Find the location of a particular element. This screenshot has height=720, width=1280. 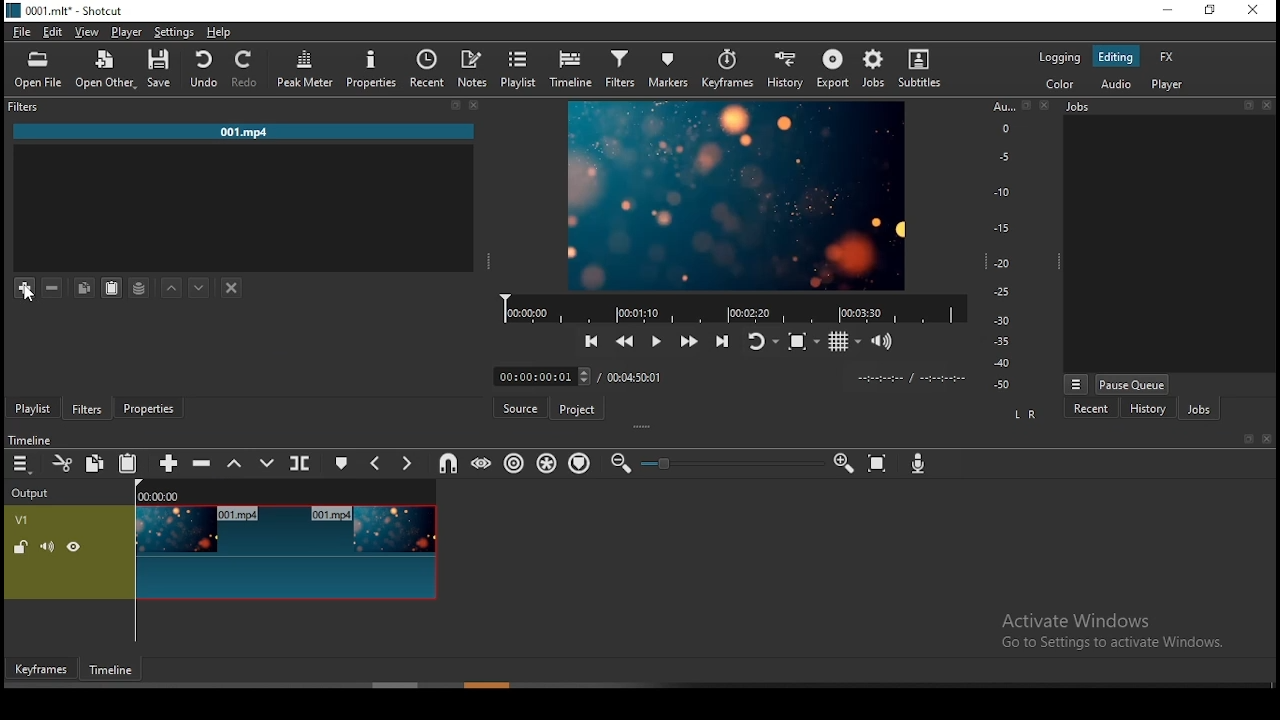

recent is located at coordinates (1093, 408).